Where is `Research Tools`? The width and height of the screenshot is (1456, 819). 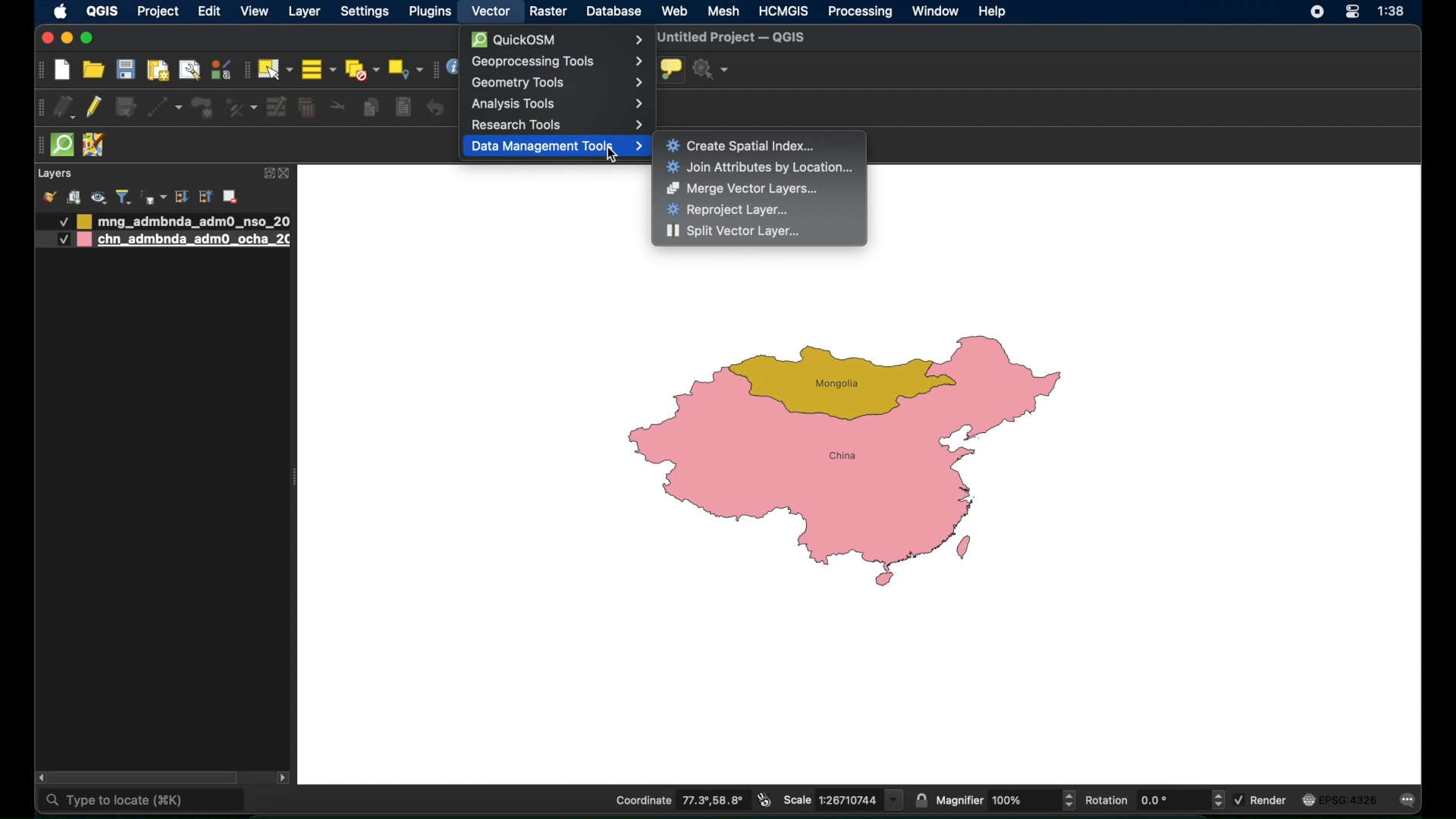 Research Tools is located at coordinates (557, 127).